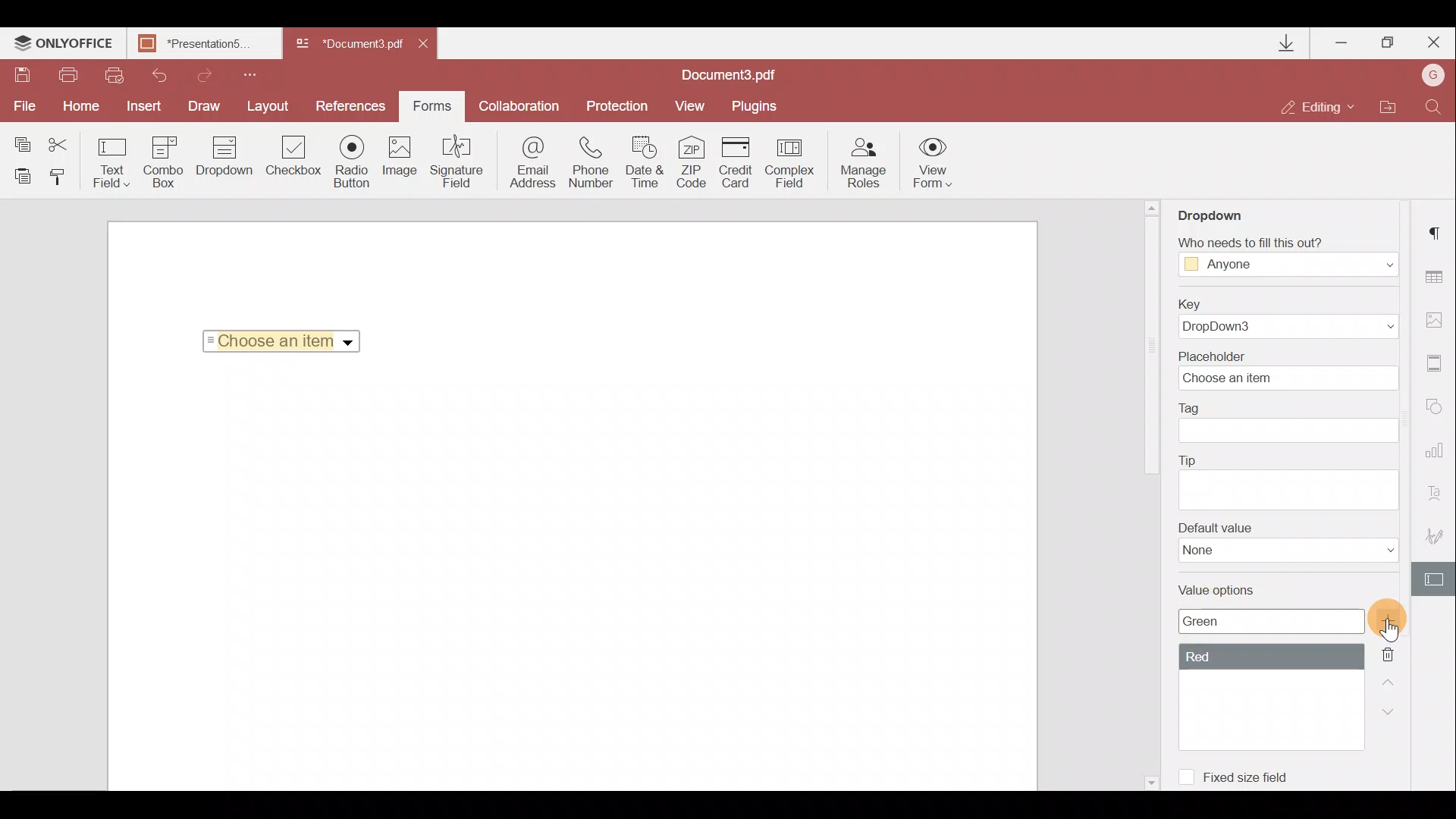 Image resolution: width=1456 pixels, height=819 pixels. What do you see at coordinates (277, 340) in the screenshot?
I see `Selected Item` at bounding box center [277, 340].